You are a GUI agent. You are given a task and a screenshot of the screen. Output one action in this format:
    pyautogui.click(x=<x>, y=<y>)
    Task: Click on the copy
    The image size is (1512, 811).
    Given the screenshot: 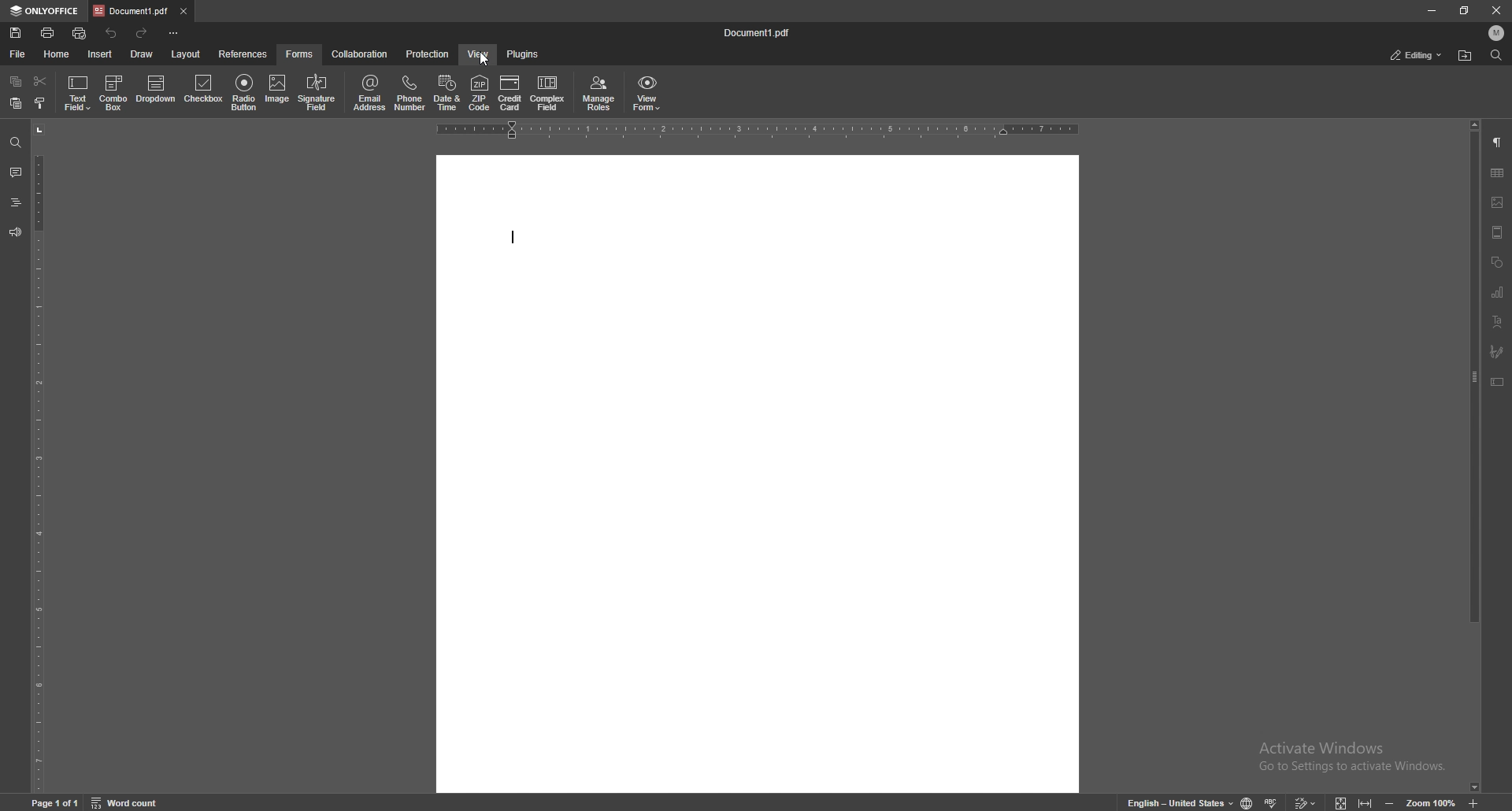 What is the action you would take?
    pyautogui.click(x=16, y=82)
    